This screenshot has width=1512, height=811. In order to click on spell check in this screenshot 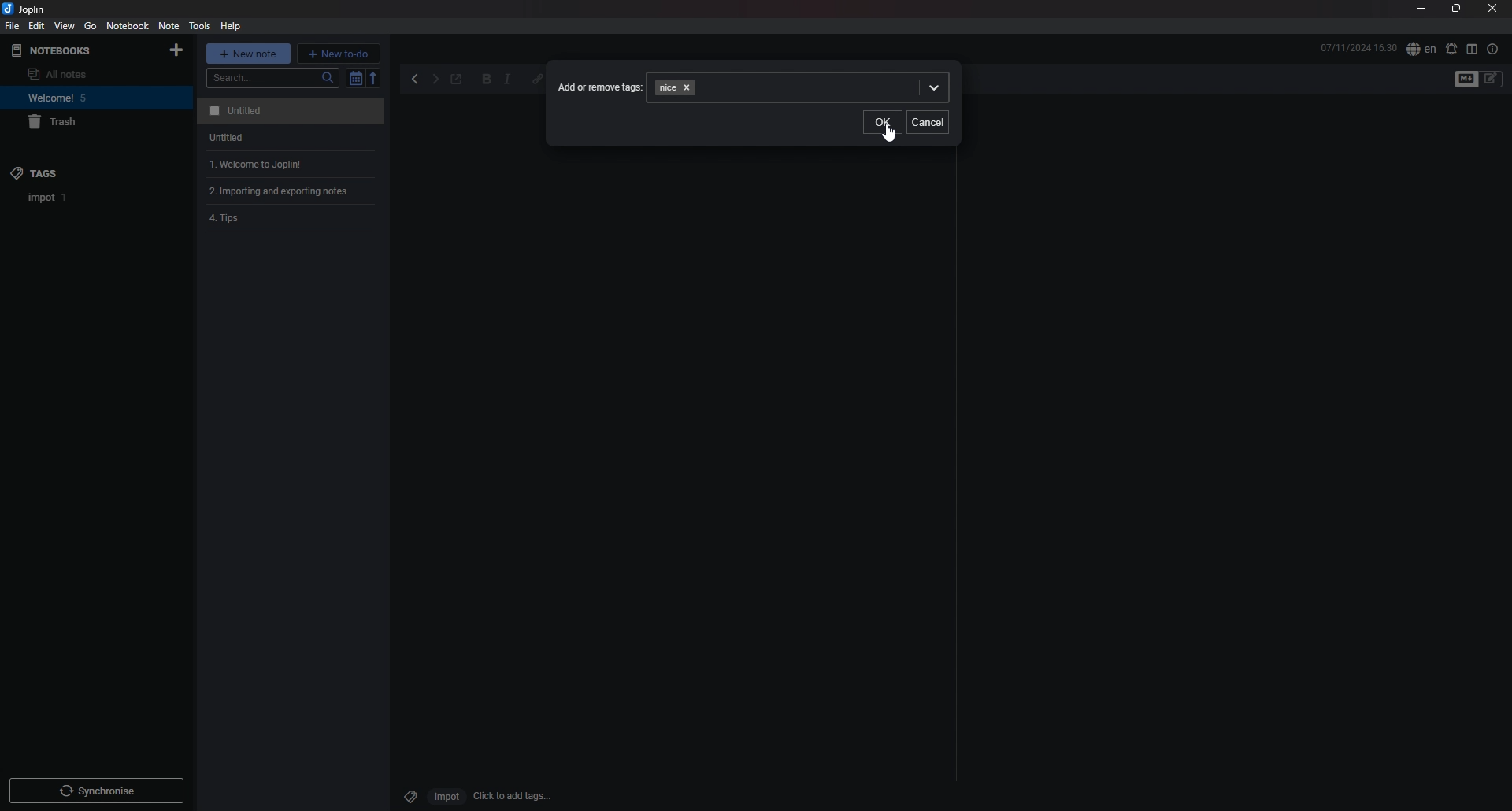, I will do `click(1451, 49)`.